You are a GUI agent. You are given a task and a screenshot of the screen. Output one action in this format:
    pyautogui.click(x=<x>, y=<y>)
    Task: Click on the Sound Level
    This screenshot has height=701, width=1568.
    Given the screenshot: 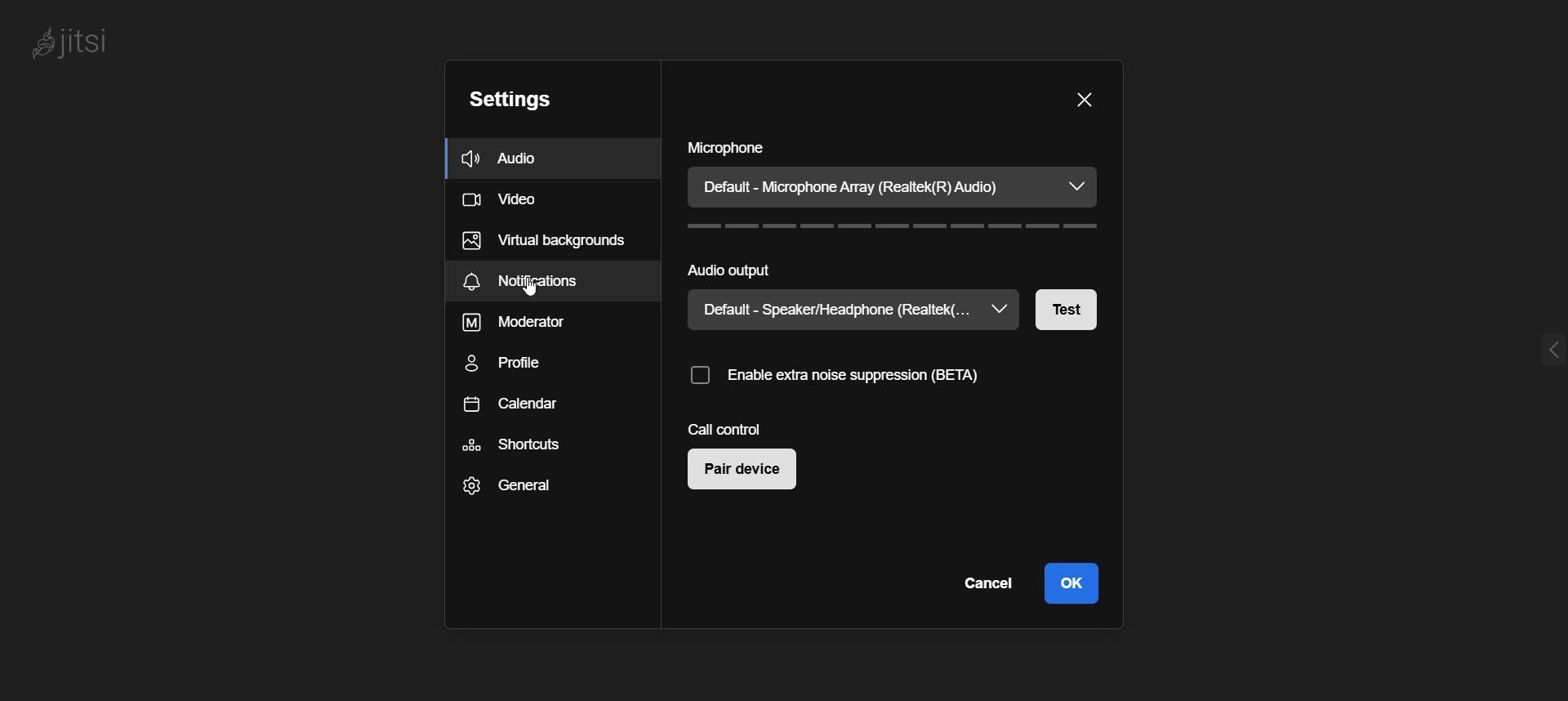 What is the action you would take?
    pyautogui.click(x=887, y=225)
    